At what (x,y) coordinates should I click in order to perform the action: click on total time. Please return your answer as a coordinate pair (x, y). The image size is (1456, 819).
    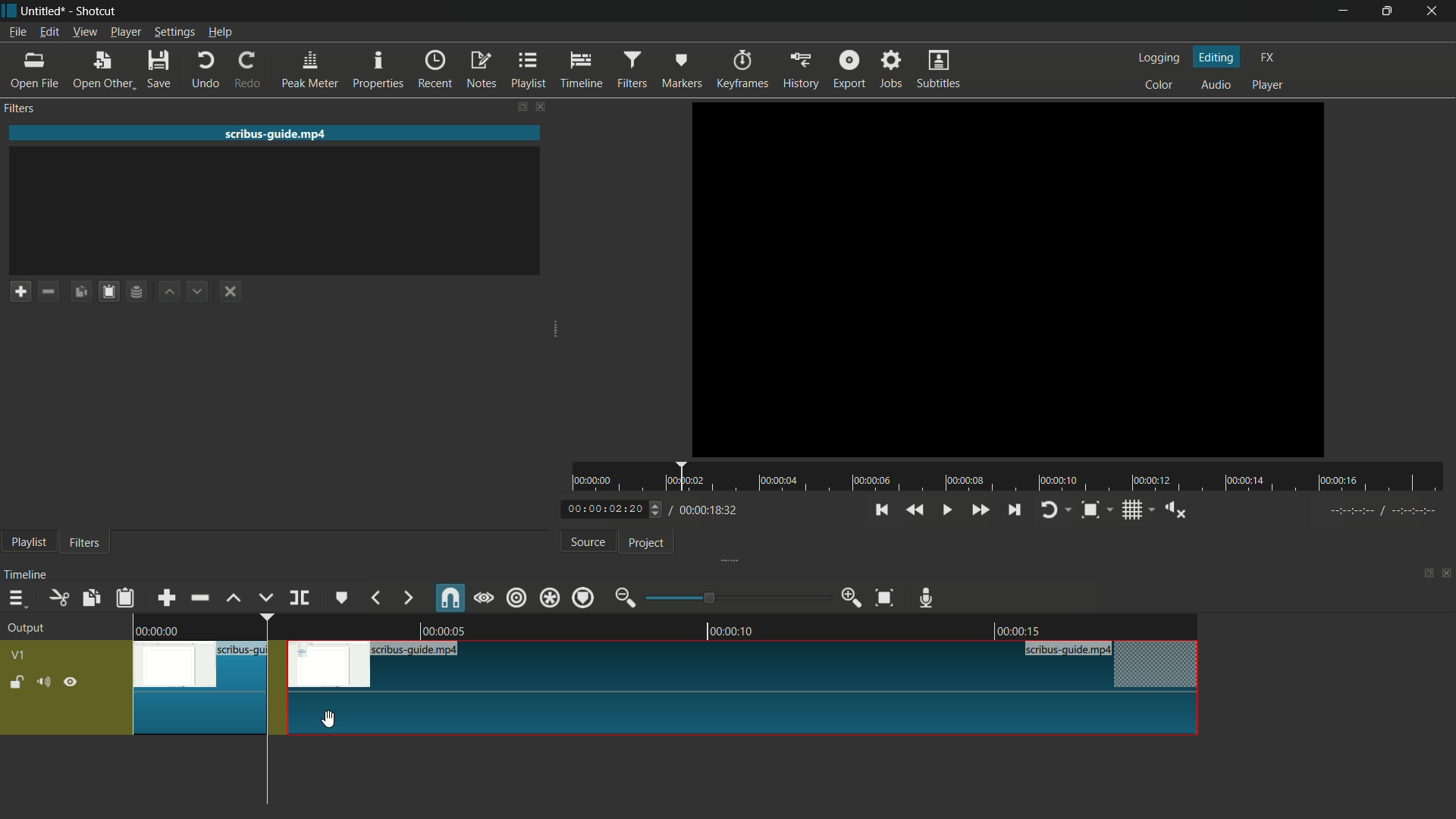
    Looking at the image, I should click on (704, 510).